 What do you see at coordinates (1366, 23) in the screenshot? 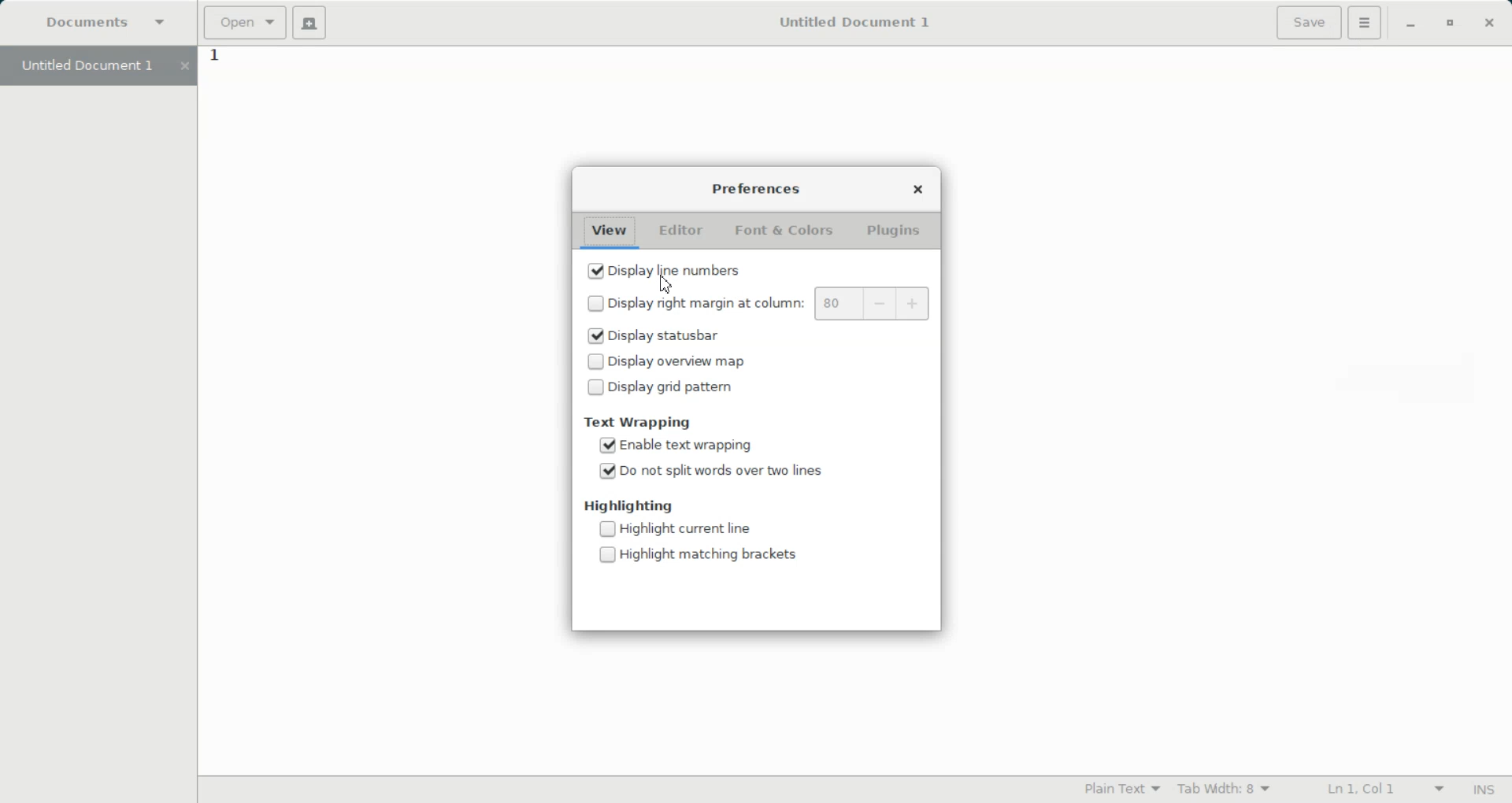
I see `Hamburger setting` at bounding box center [1366, 23].